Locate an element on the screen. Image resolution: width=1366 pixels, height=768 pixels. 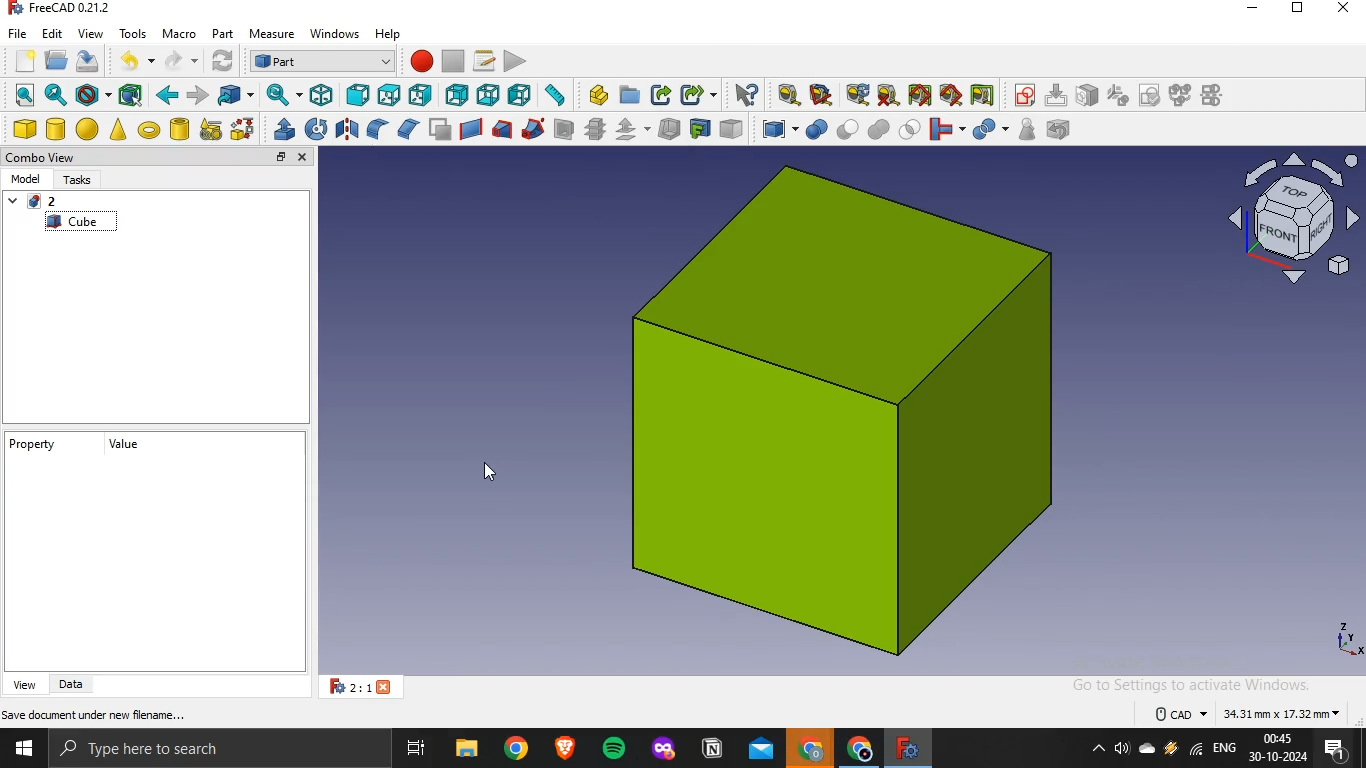
macros is located at coordinates (484, 61).